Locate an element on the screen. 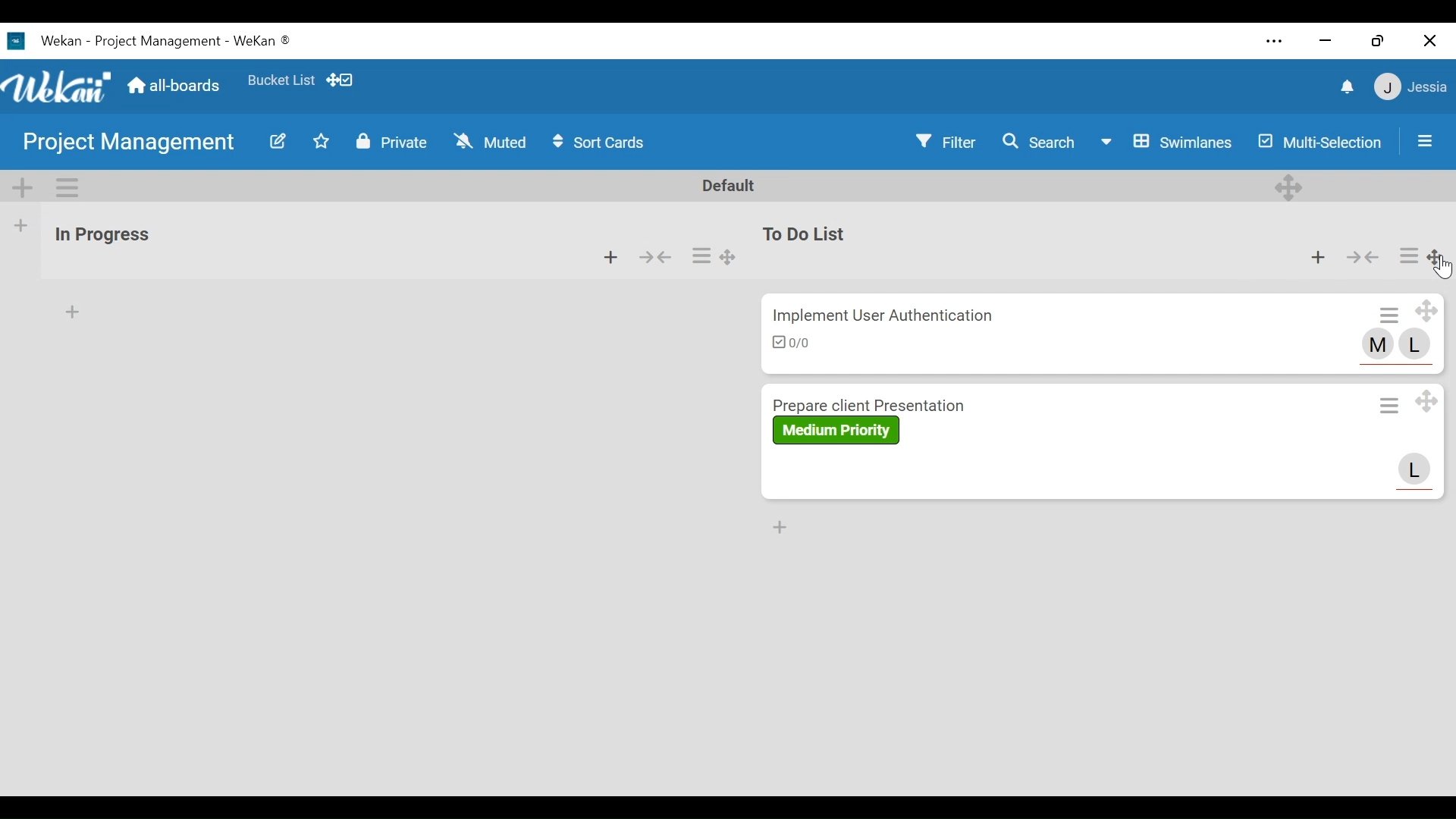 The height and width of the screenshot is (819, 1456). Open/close sidebar is located at coordinates (1425, 141).